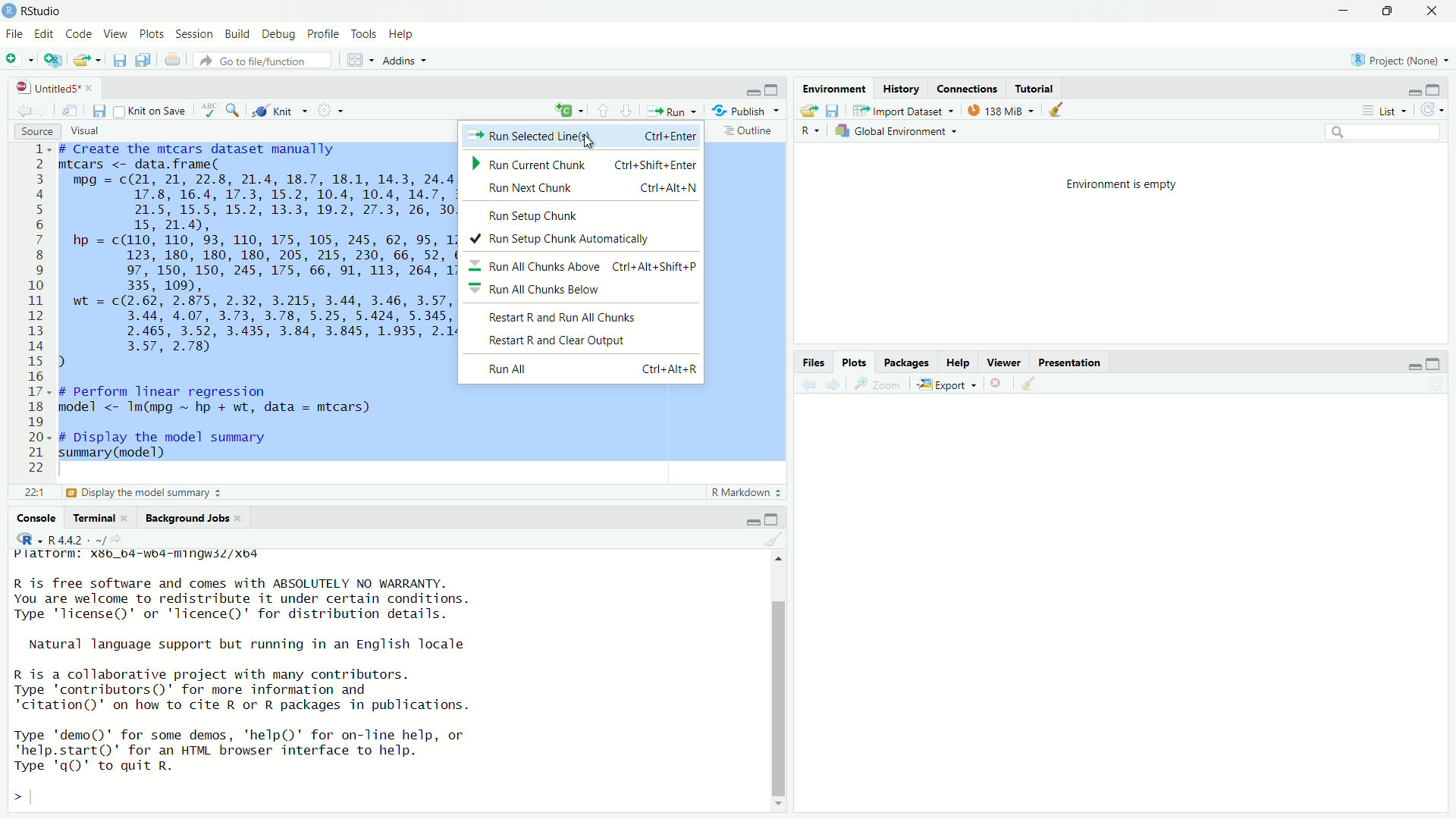 This screenshot has height=819, width=1456. Describe the element at coordinates (668, 136) in the screenshot. I see `Ctrl+Enter` at that location.